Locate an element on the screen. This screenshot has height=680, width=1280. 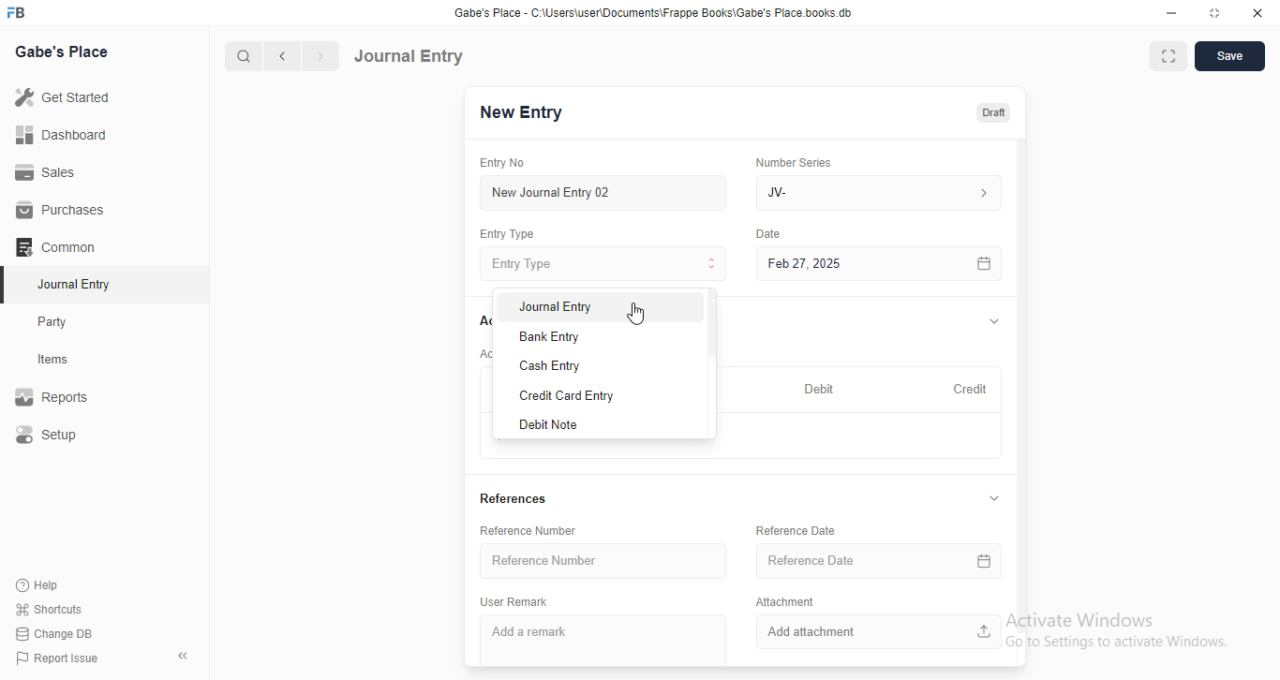
Bank Entry is located at coordinates (550, 338).